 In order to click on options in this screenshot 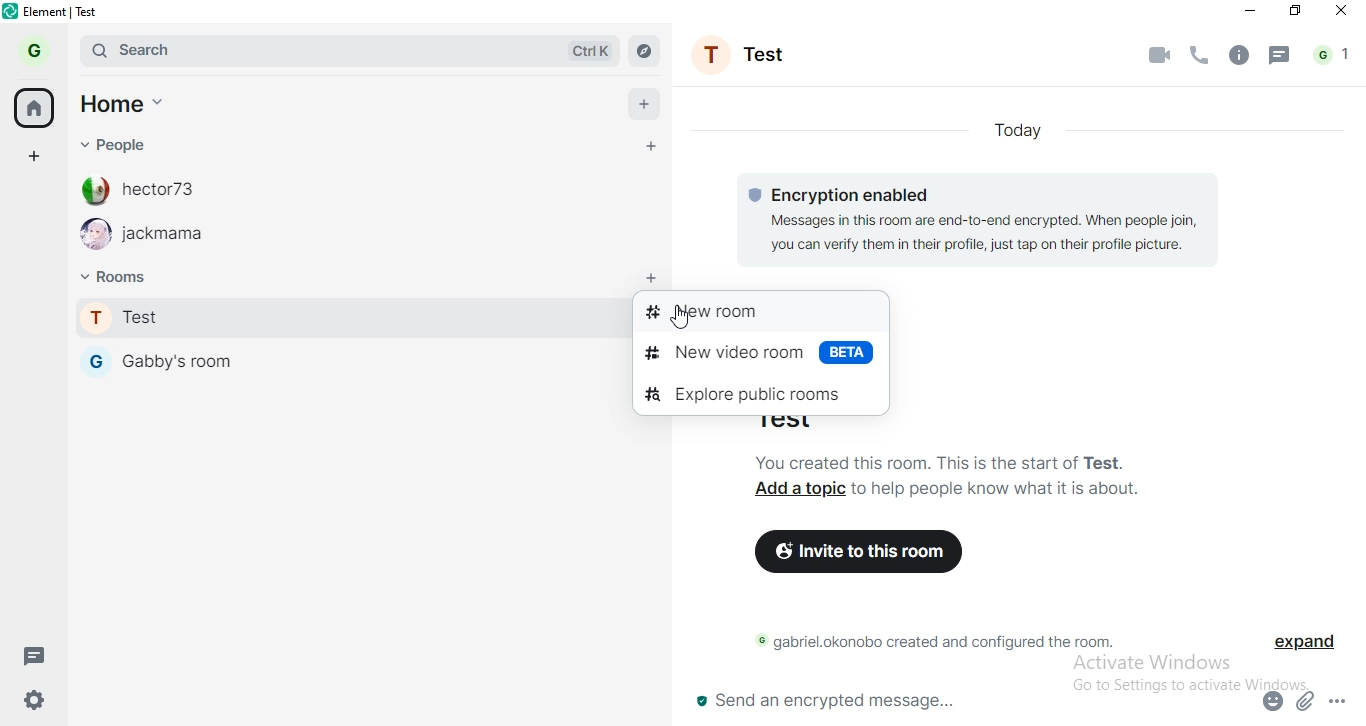, I will do `click(1340, 701)`.